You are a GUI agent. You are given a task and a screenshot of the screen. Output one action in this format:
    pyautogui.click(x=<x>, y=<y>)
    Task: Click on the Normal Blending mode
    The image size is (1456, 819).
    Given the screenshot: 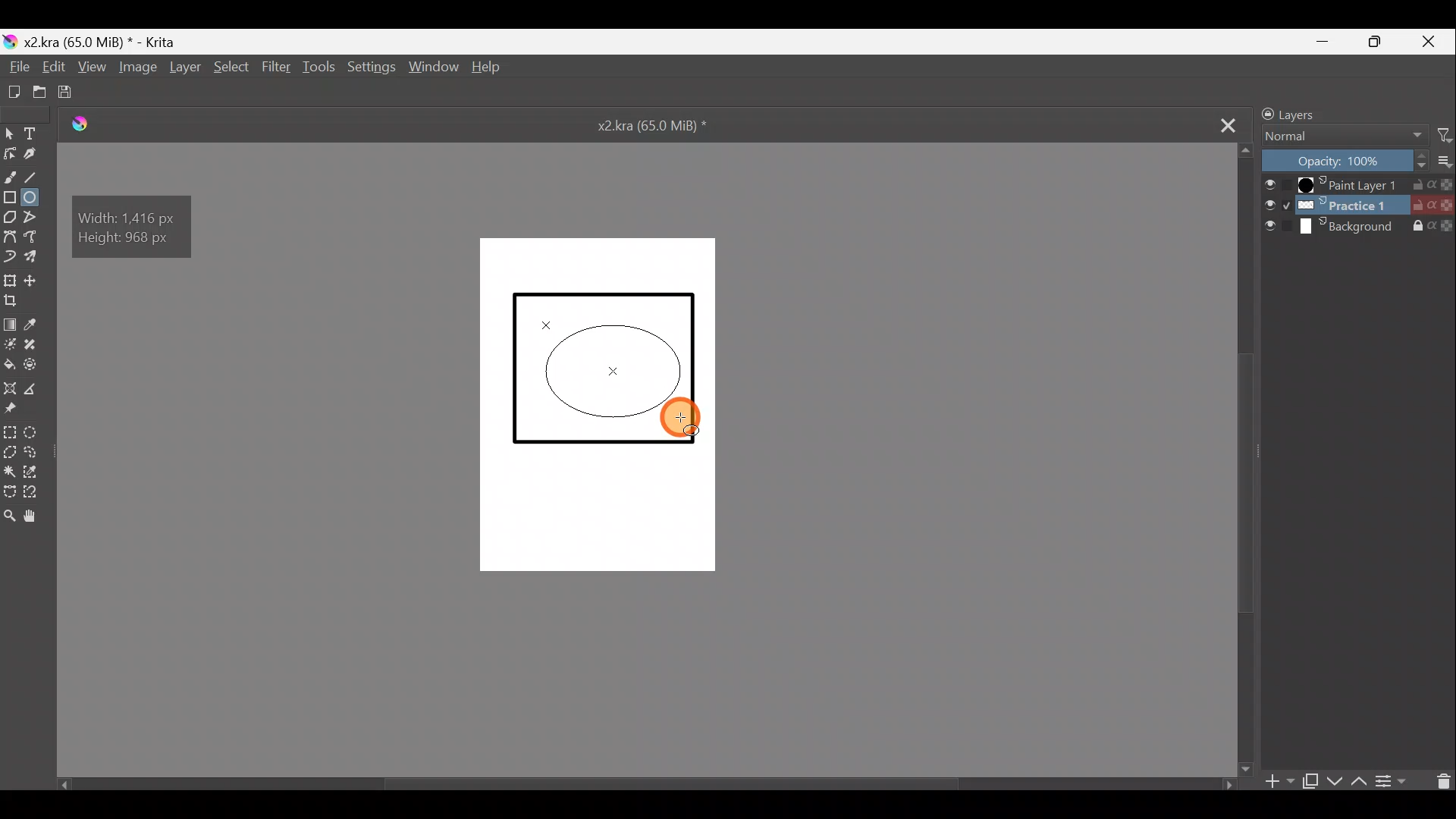 What is the action you would take?
    pyautogui.click(x=1343, y=136)
    